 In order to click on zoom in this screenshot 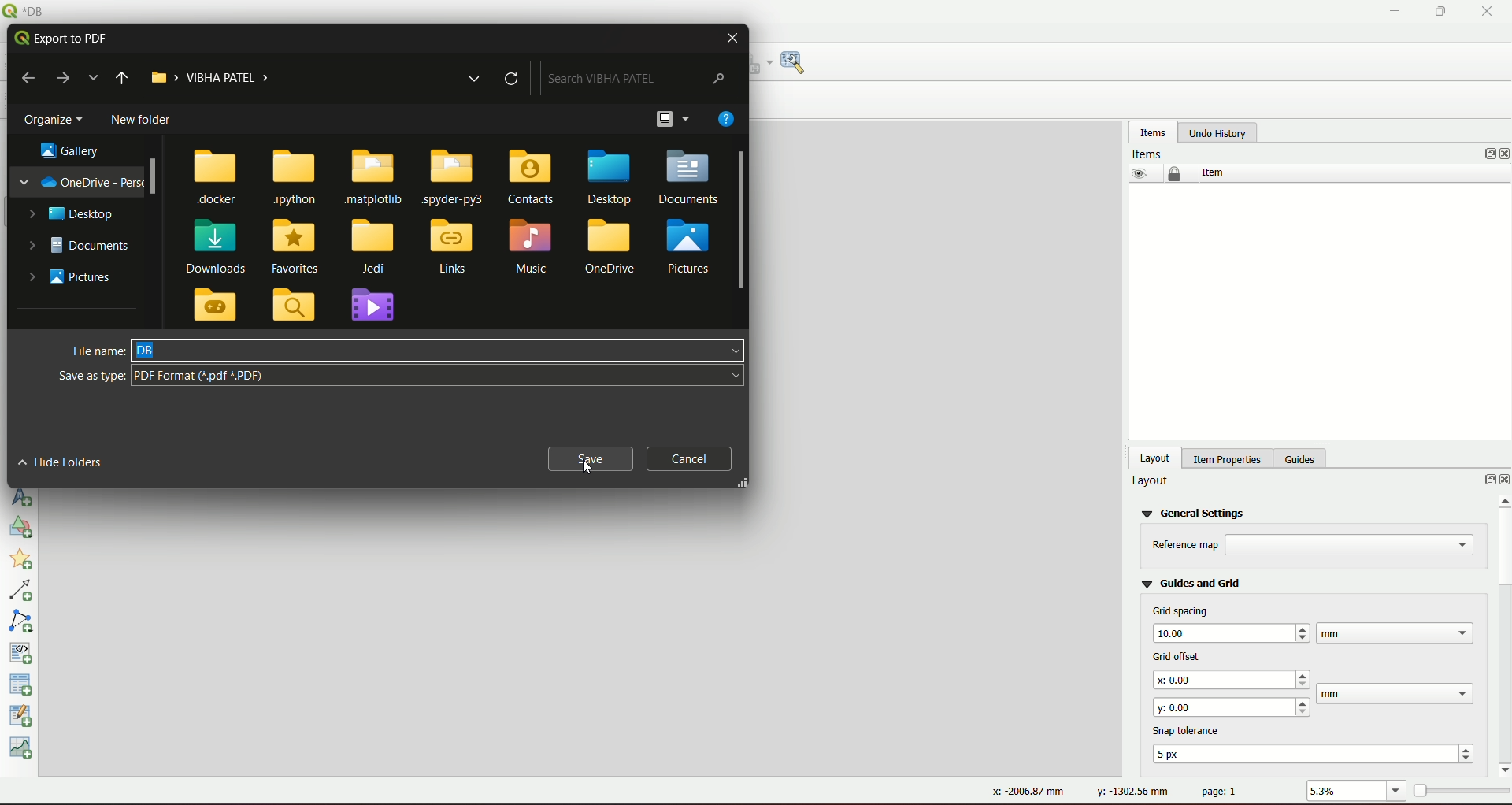, I will do `click(1397, 792)`.